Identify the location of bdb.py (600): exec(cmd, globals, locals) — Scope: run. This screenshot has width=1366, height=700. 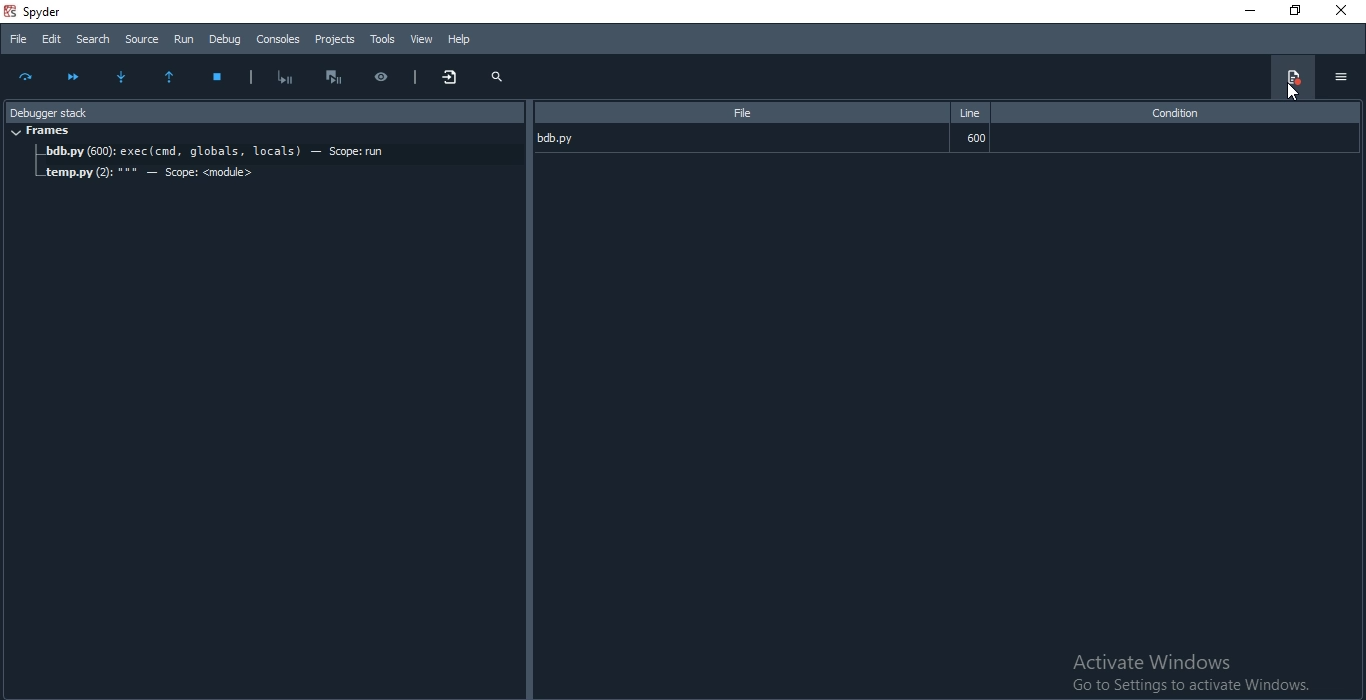
(278, 154).